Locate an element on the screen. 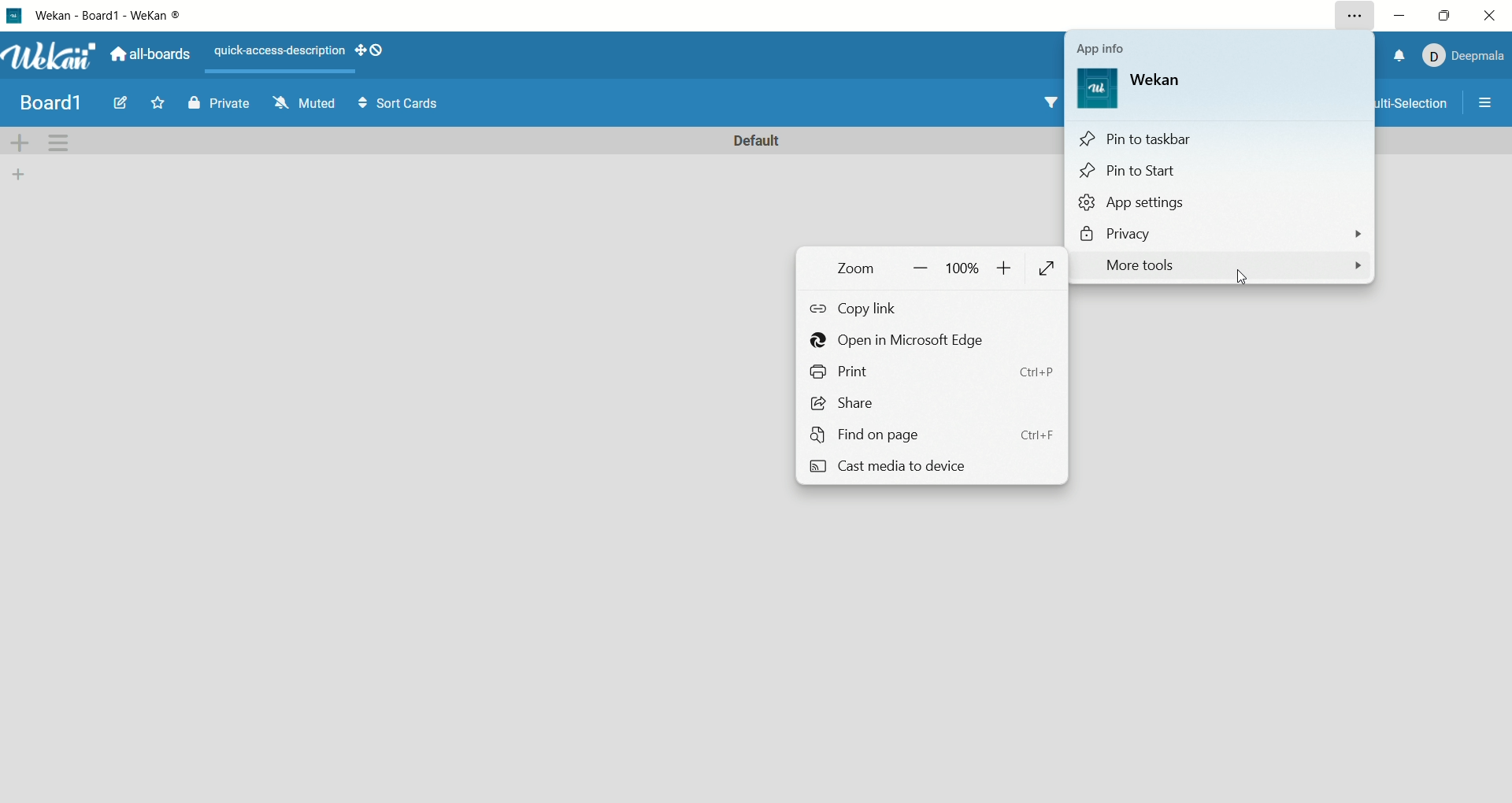 The height and width of the screenshot is (803, 1512). notification is located at coordinates (1400, 56).